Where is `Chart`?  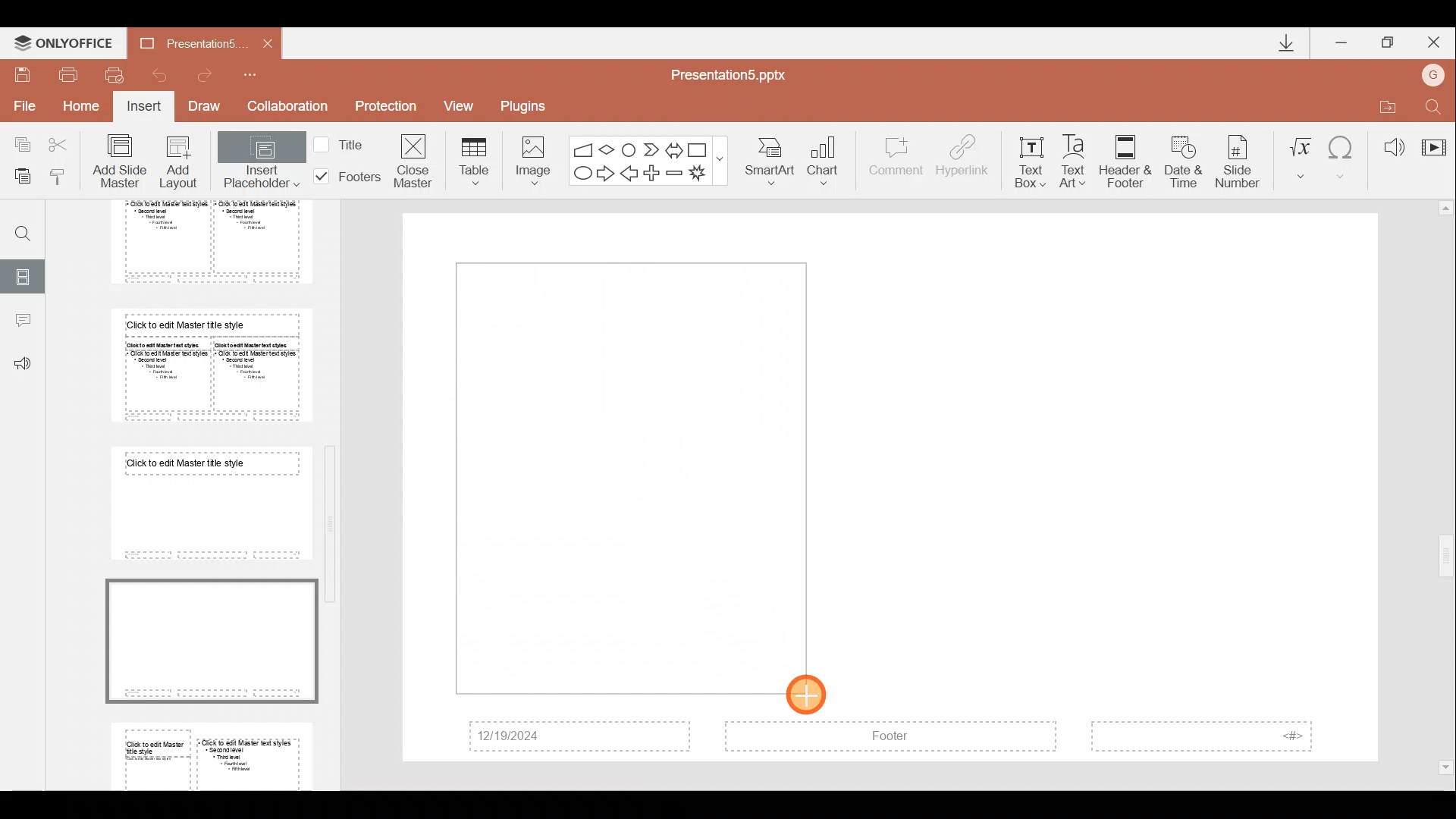
Chart is located at coordinates (833, 162).